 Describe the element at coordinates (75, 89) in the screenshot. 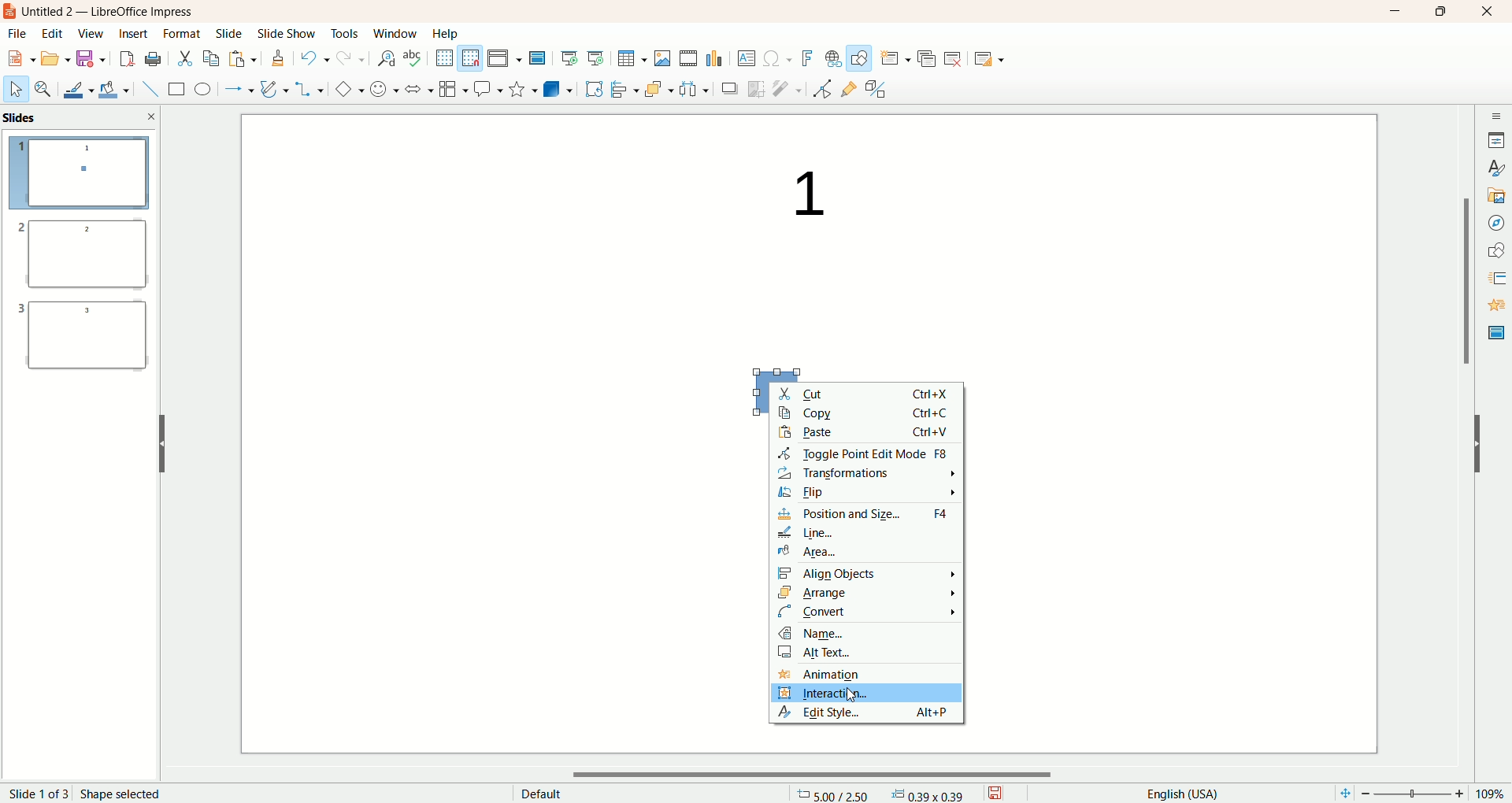

I see `line color` at that location.